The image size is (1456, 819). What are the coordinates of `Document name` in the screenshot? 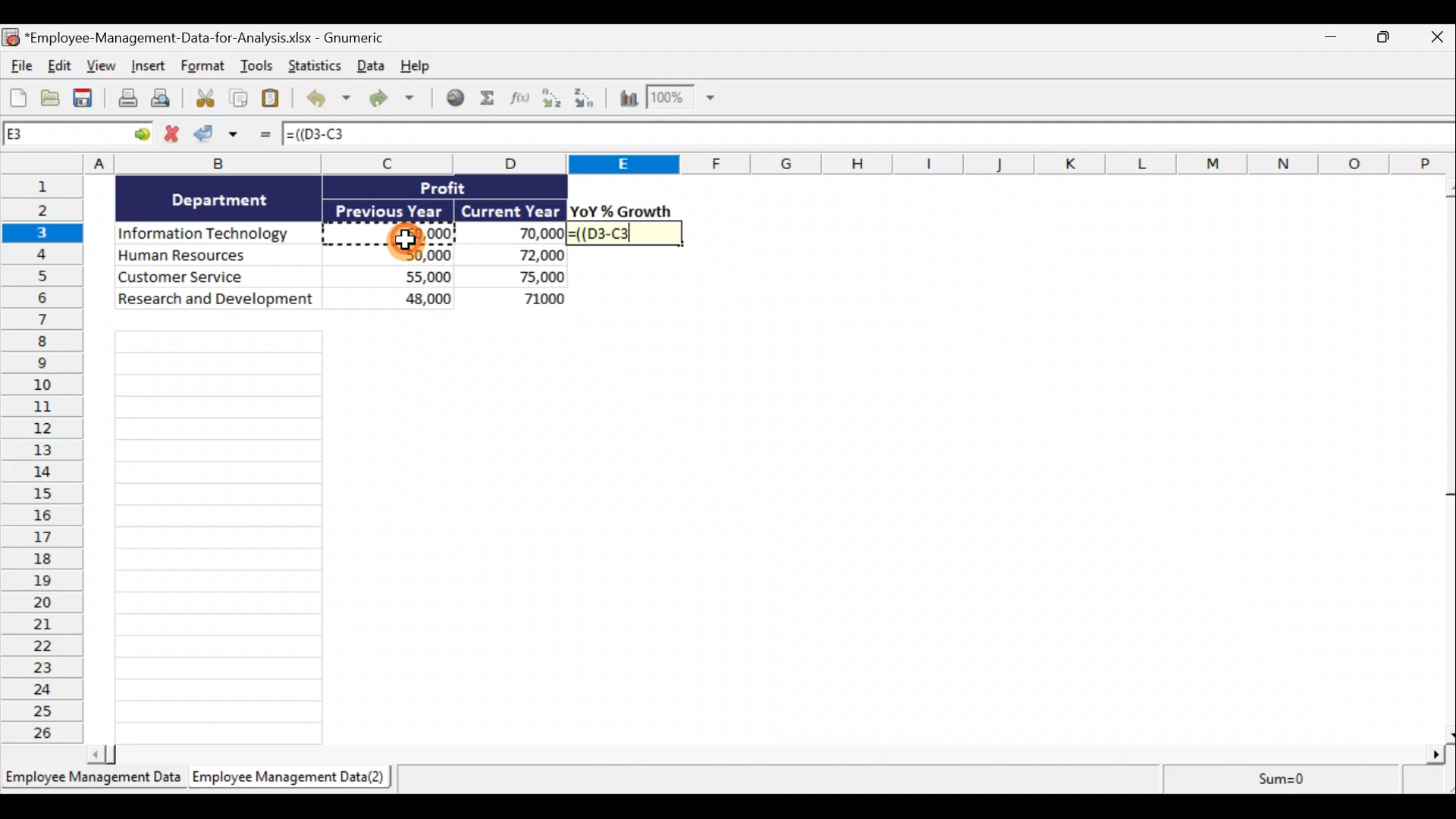 It's located at (208, 36).